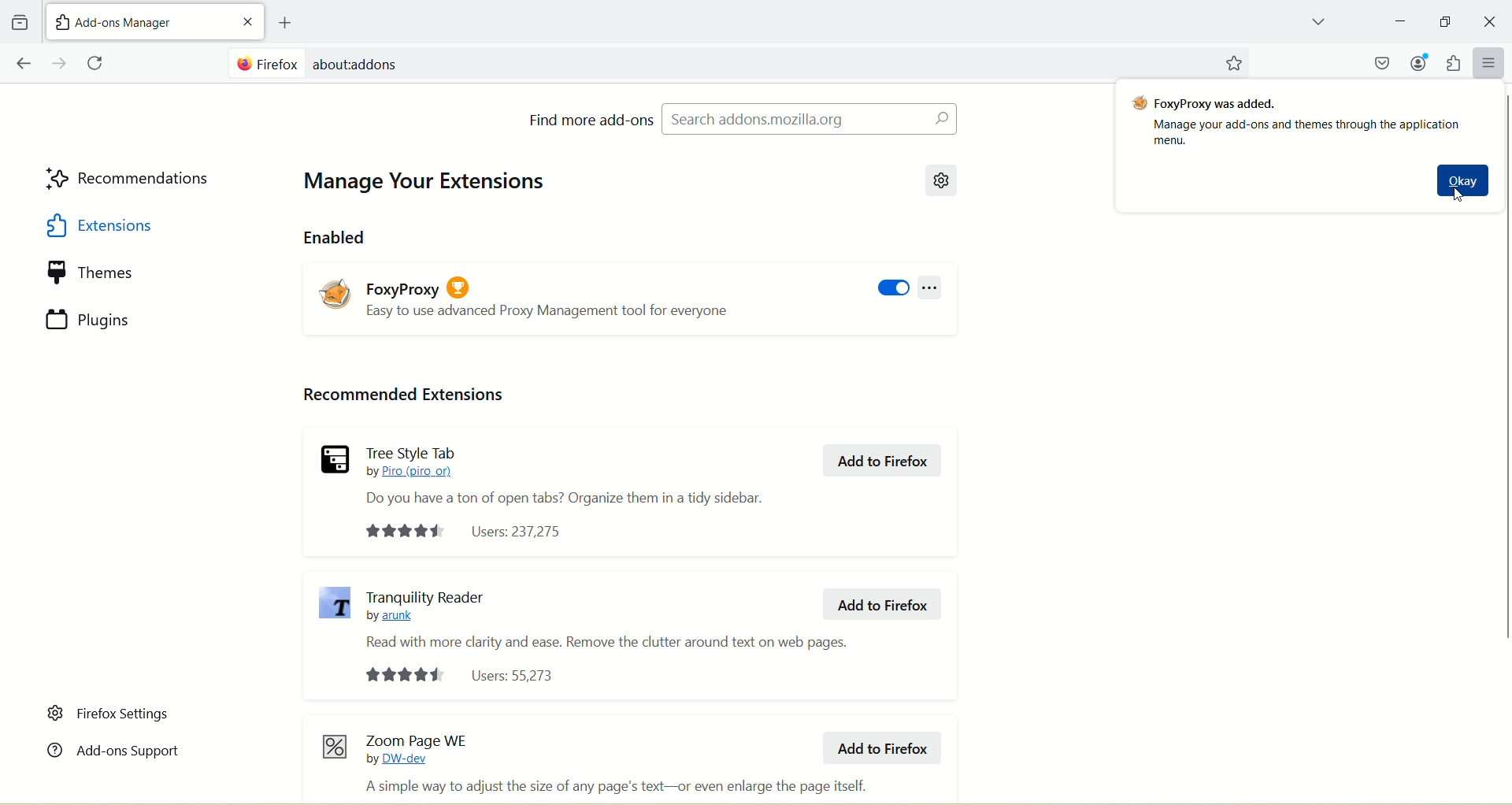 The image size is (1512, 805). What do you see at coordinates (591, 119) in the screenshot?
I see `Find more add ons` at bounding box center [591, 119].